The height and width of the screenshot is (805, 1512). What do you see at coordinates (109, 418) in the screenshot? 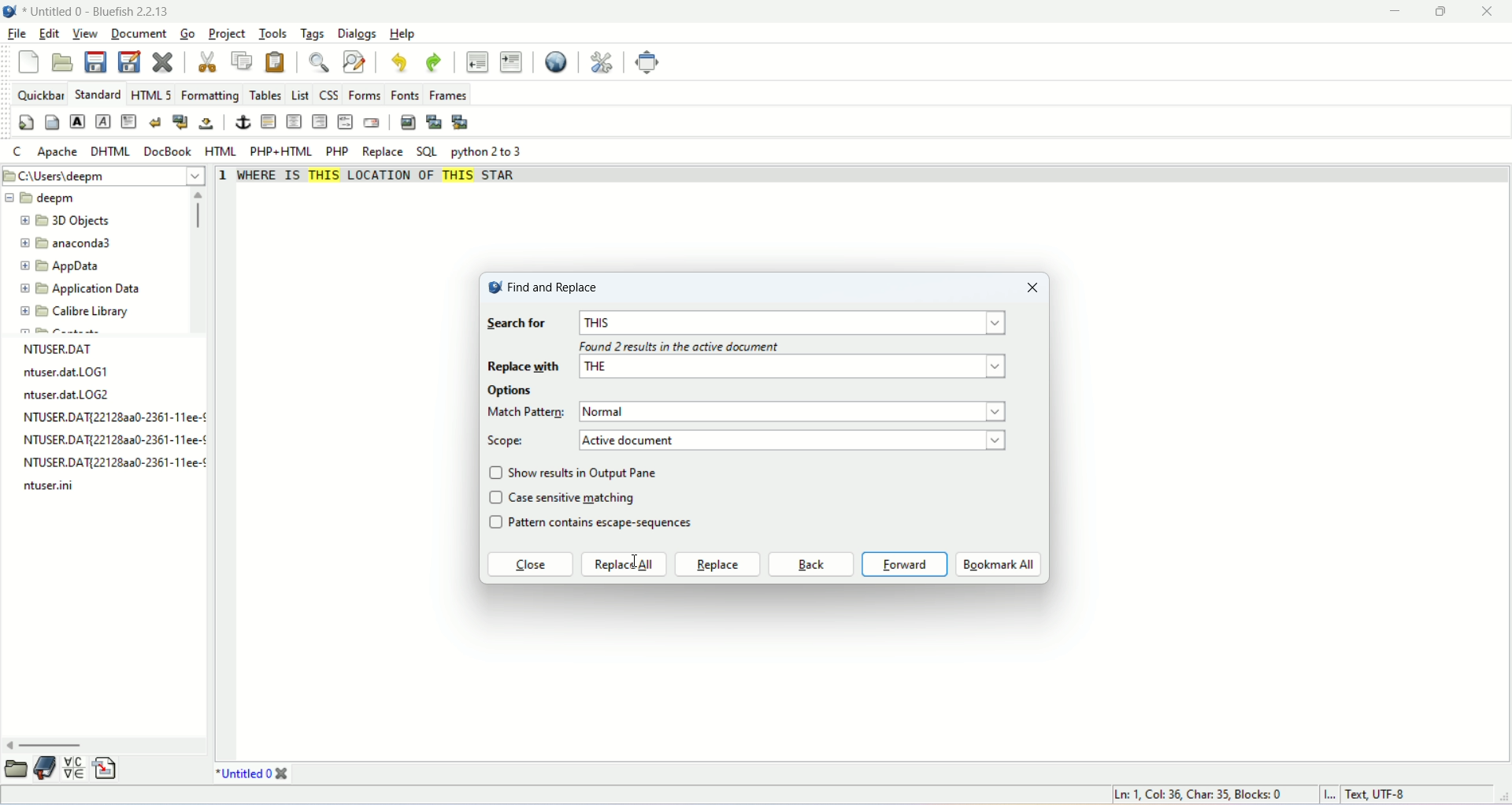
I see `file name` at bounding box center [109, 418].